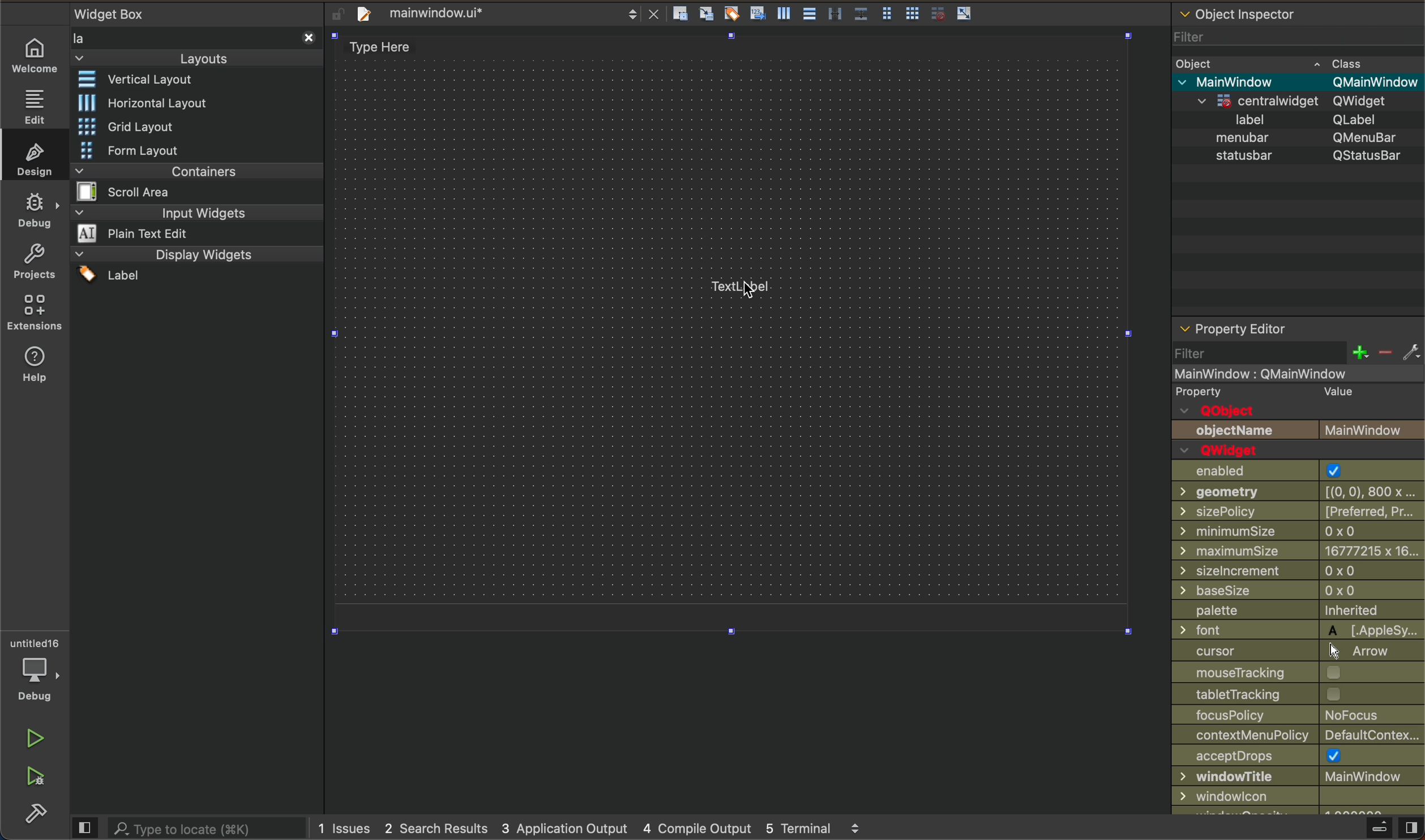 This screenshot has height=840, width=1425. I want to click on design, so click(35, 158).